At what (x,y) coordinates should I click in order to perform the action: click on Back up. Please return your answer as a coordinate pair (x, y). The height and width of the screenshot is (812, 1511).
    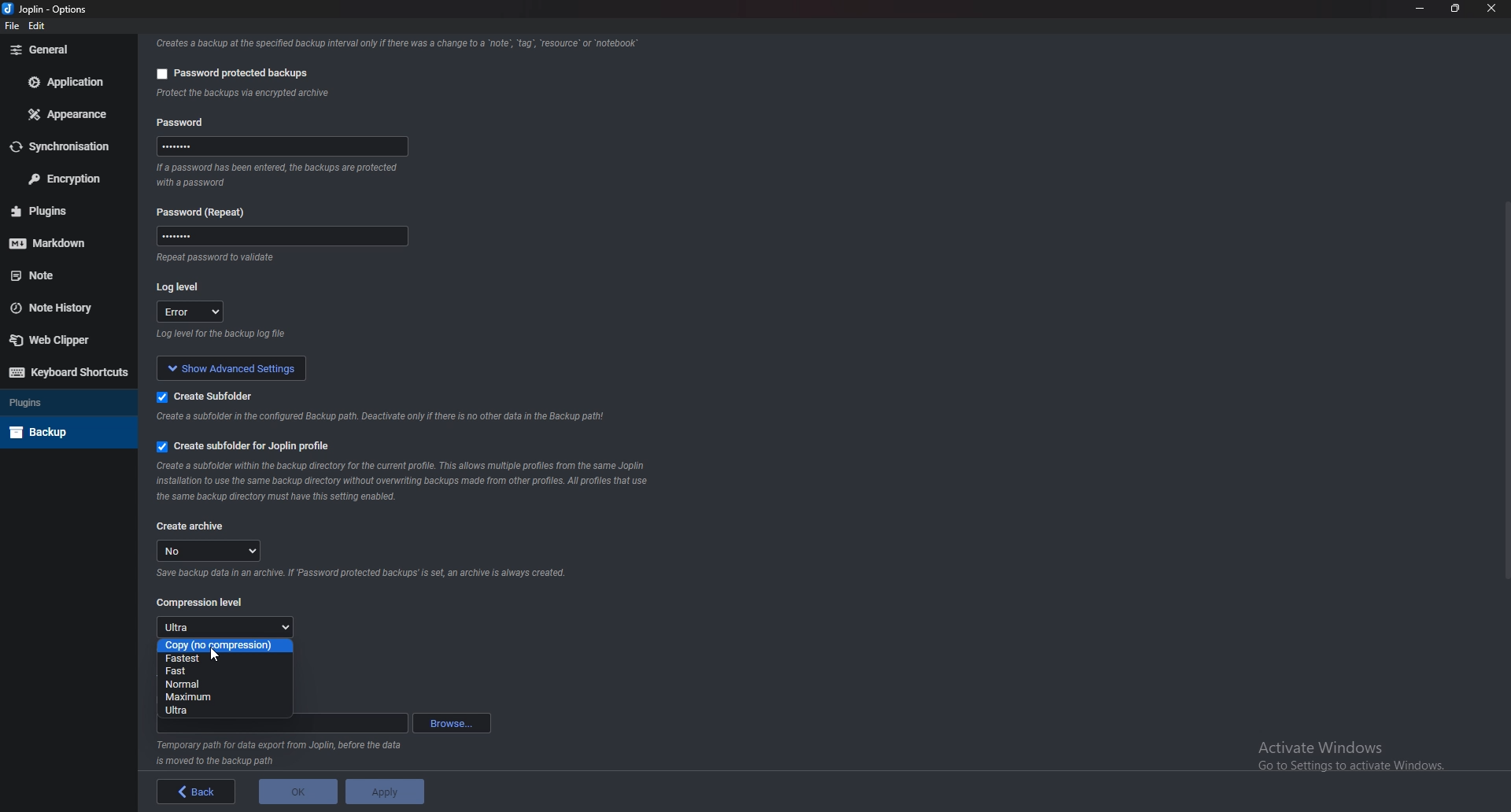
    Looking at the image, I should click on (65, 430).